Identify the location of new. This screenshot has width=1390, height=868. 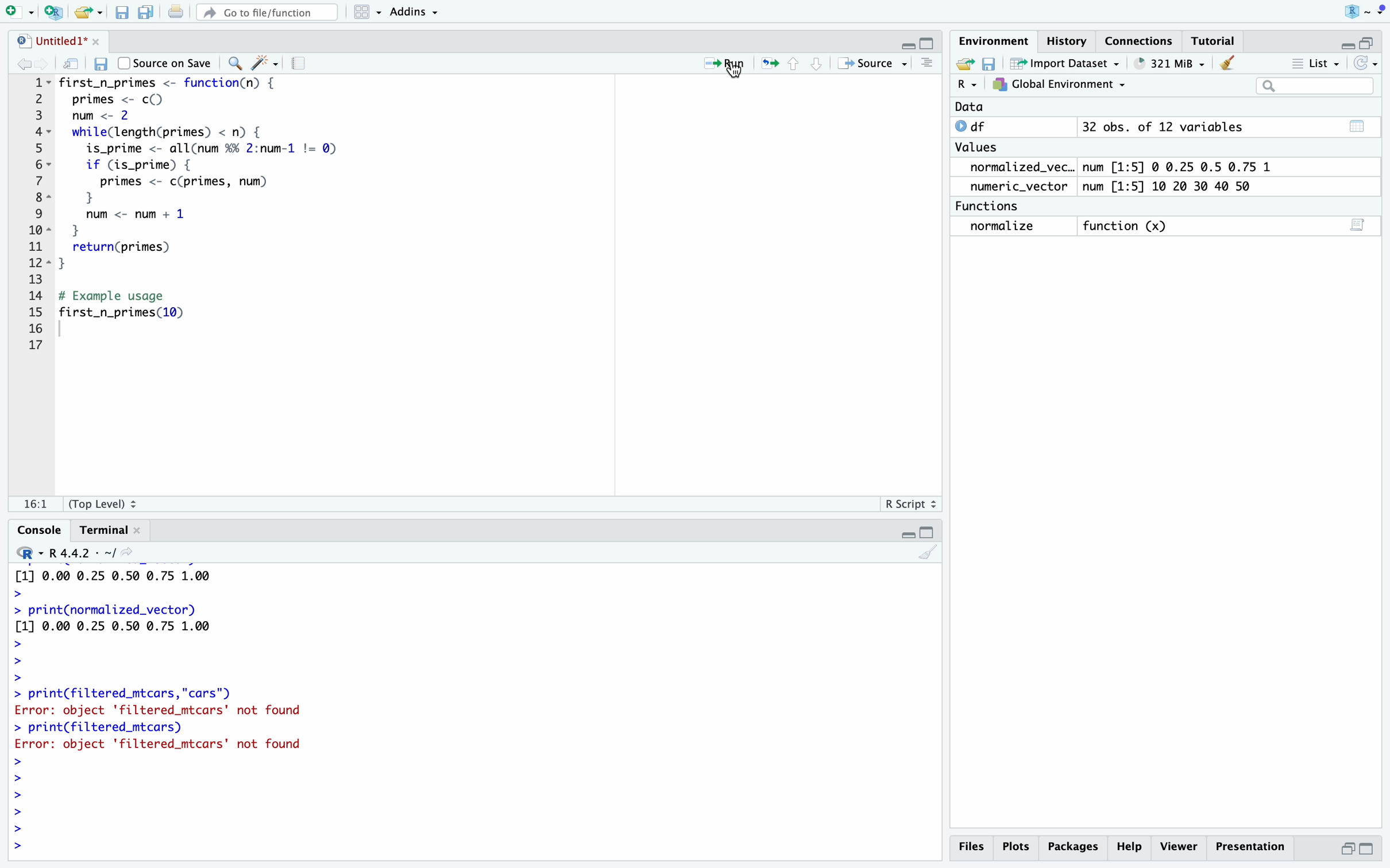
(967, 61).